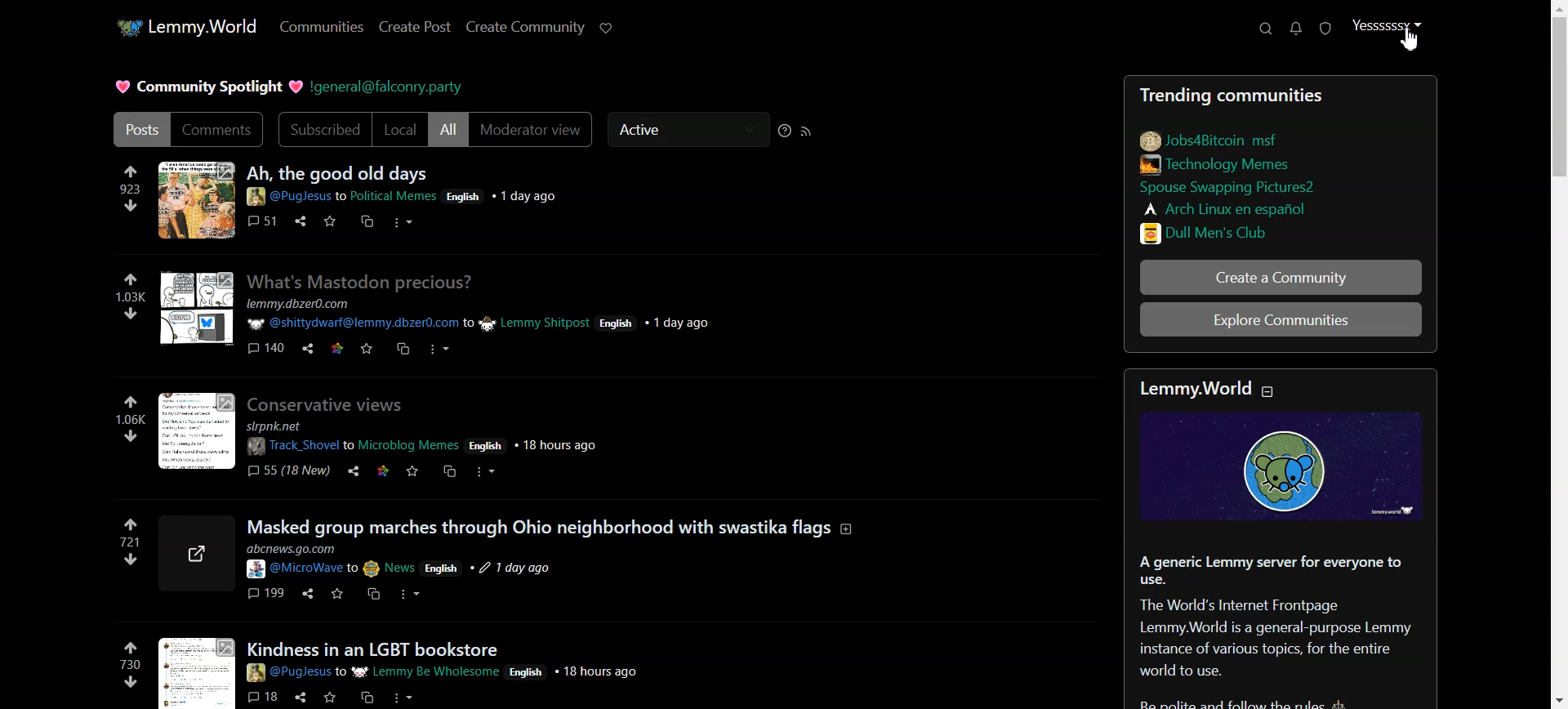  What do you see at coordinates (525, 28) in the screenshot?
I see `Create Community` at bounding box center [525, 28].